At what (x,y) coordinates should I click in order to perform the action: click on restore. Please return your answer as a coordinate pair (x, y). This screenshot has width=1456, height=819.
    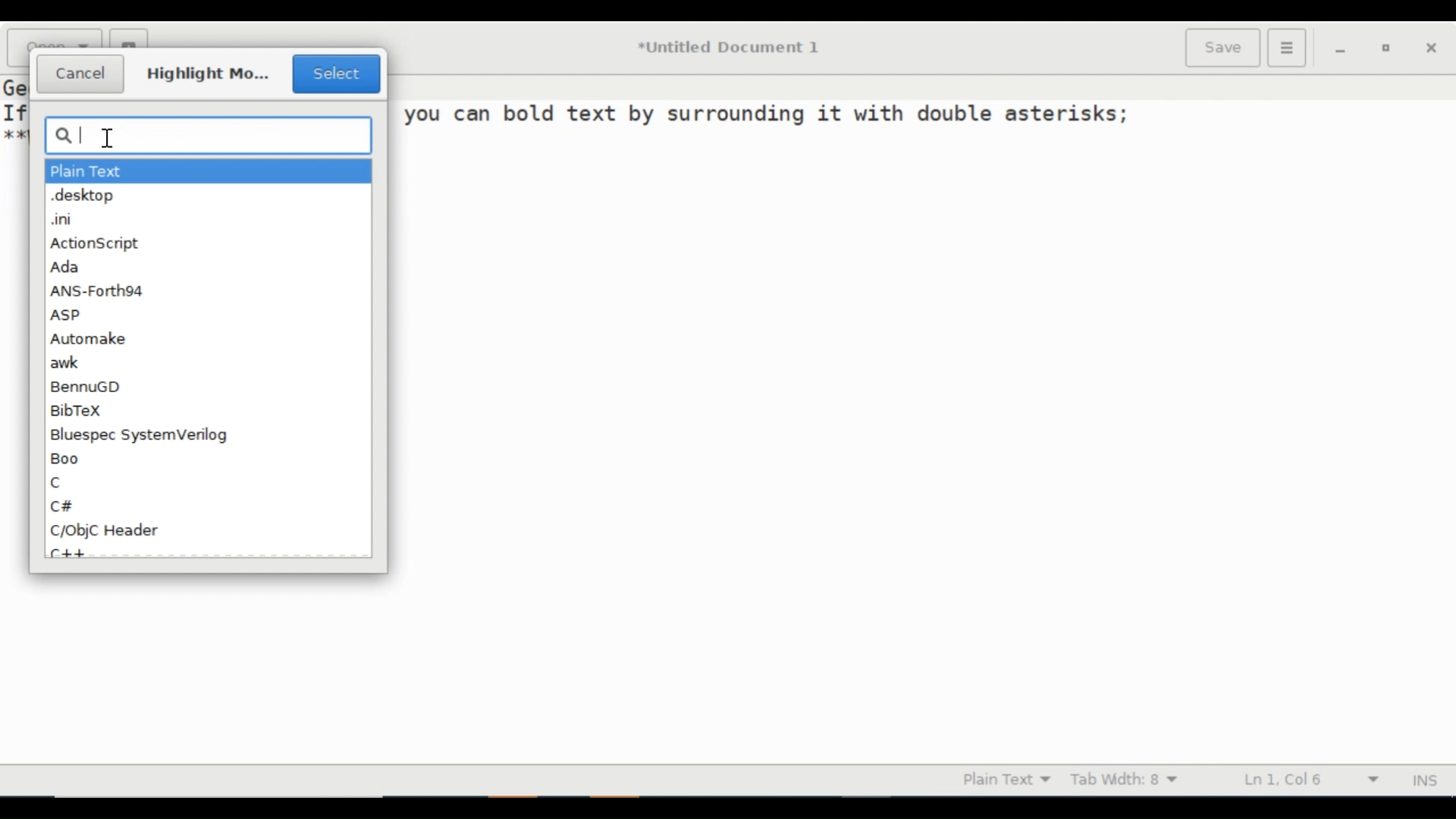
    Looking at the image, I should click on (1391, 48).